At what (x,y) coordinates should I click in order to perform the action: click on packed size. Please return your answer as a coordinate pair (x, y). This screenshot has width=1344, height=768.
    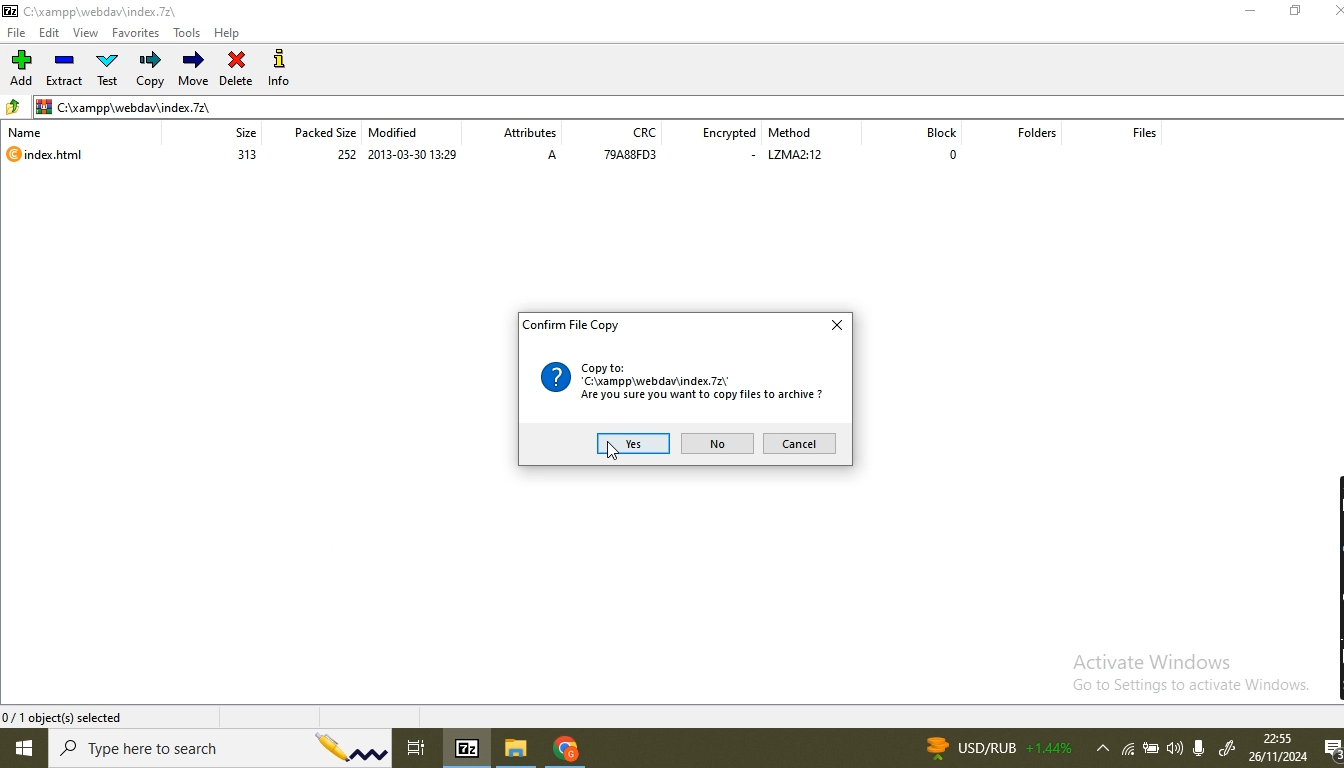
    Looking at the image, I should click on (320, 132).